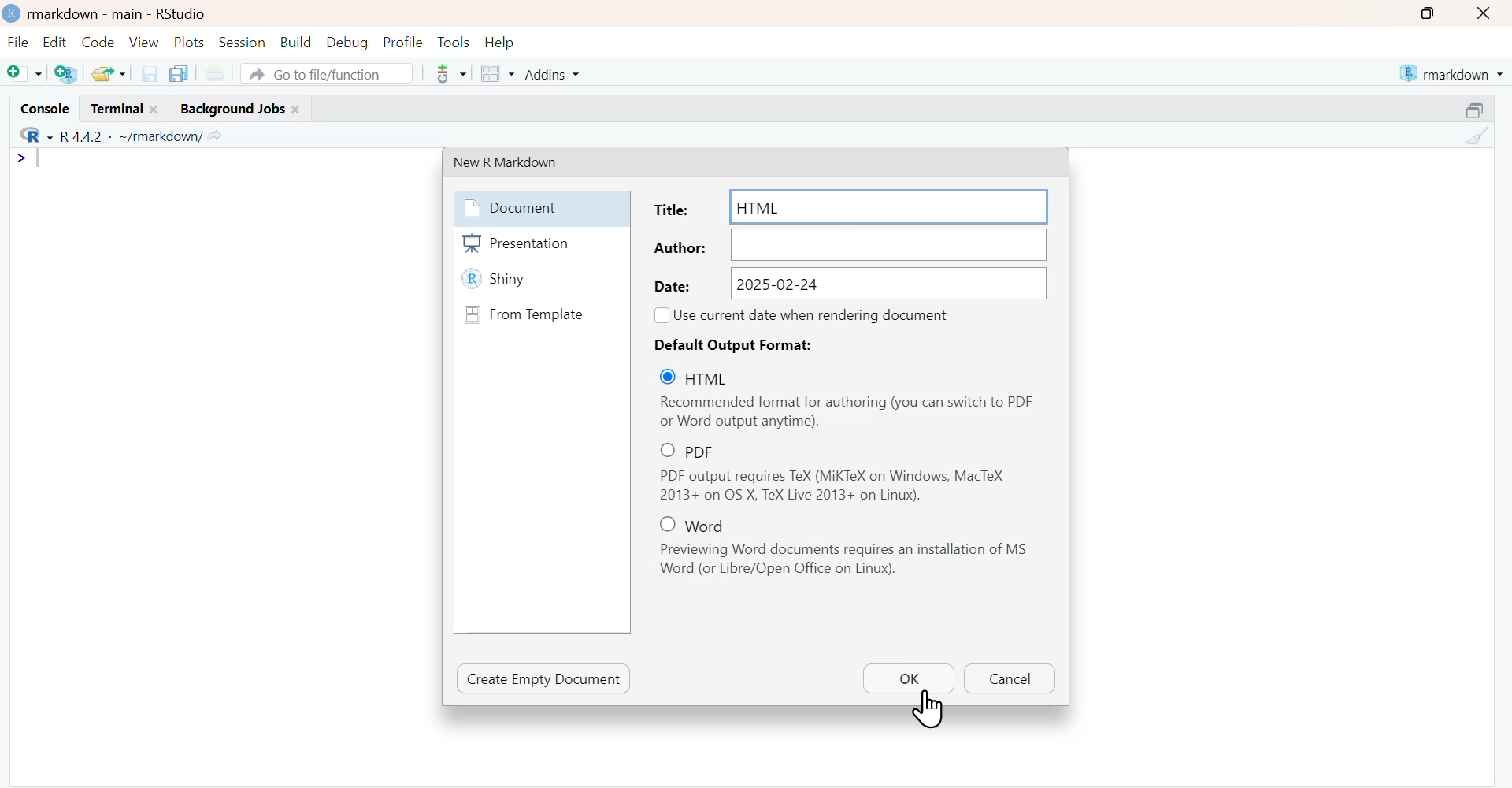 The height and width of the screenshot is (788, 1512). I want to click on line 1, so click(31, 158).